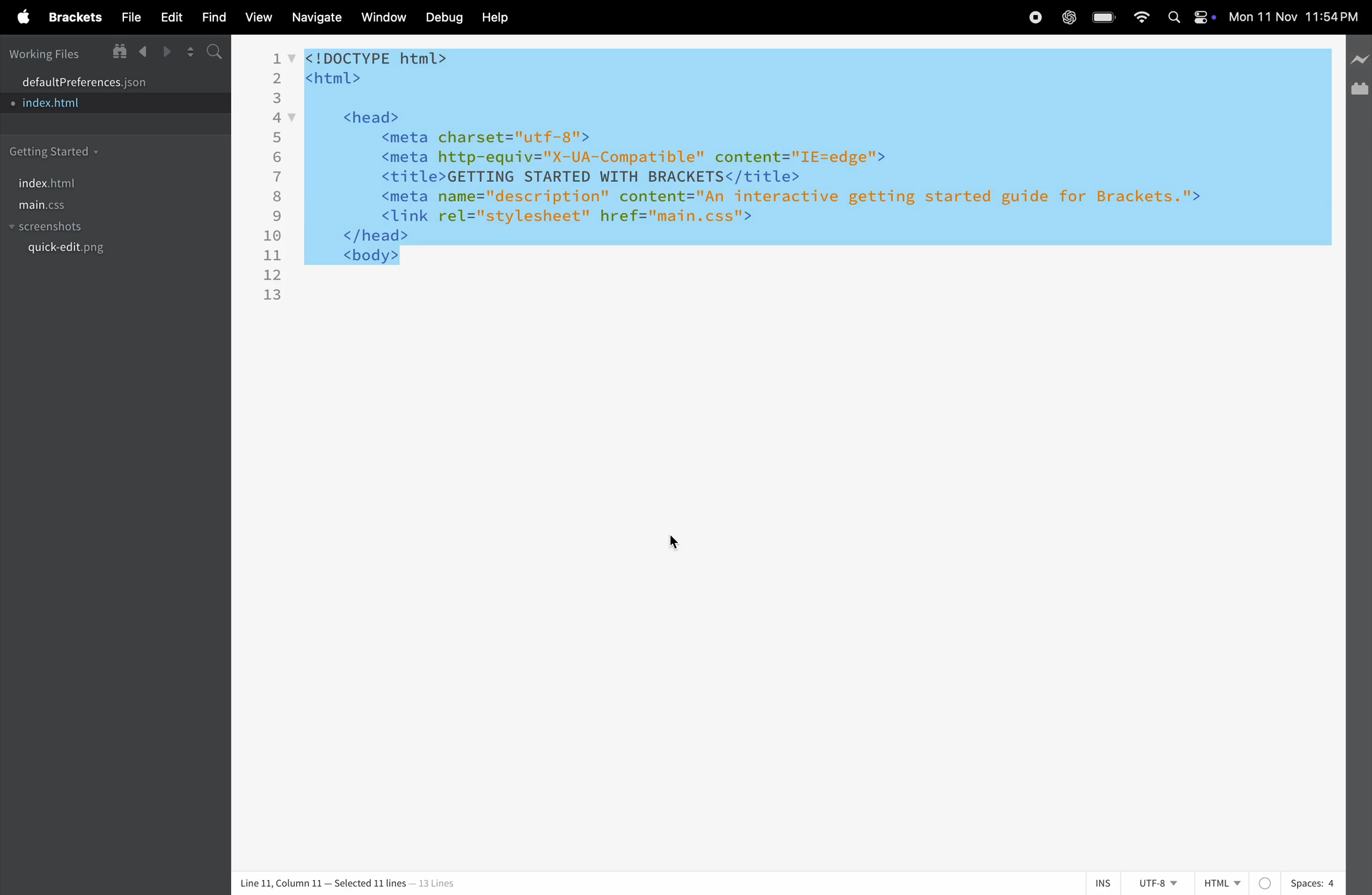  What do you see at coordinates (273, 276) in the screenshot?
I see `12` at bounding box center [273, 276].